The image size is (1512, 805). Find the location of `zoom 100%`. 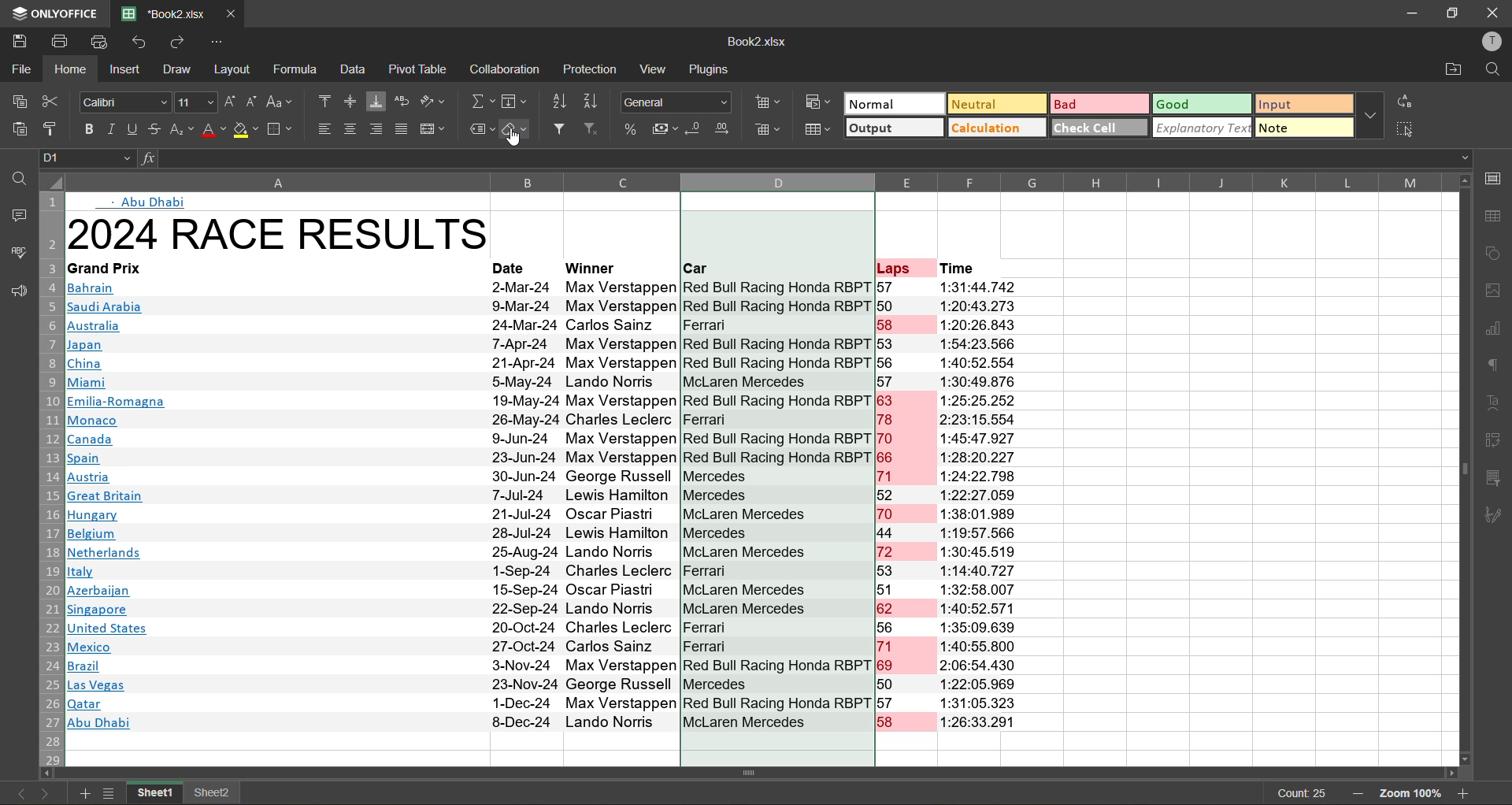

zoom 100% is located at coordinates (1414, 796).